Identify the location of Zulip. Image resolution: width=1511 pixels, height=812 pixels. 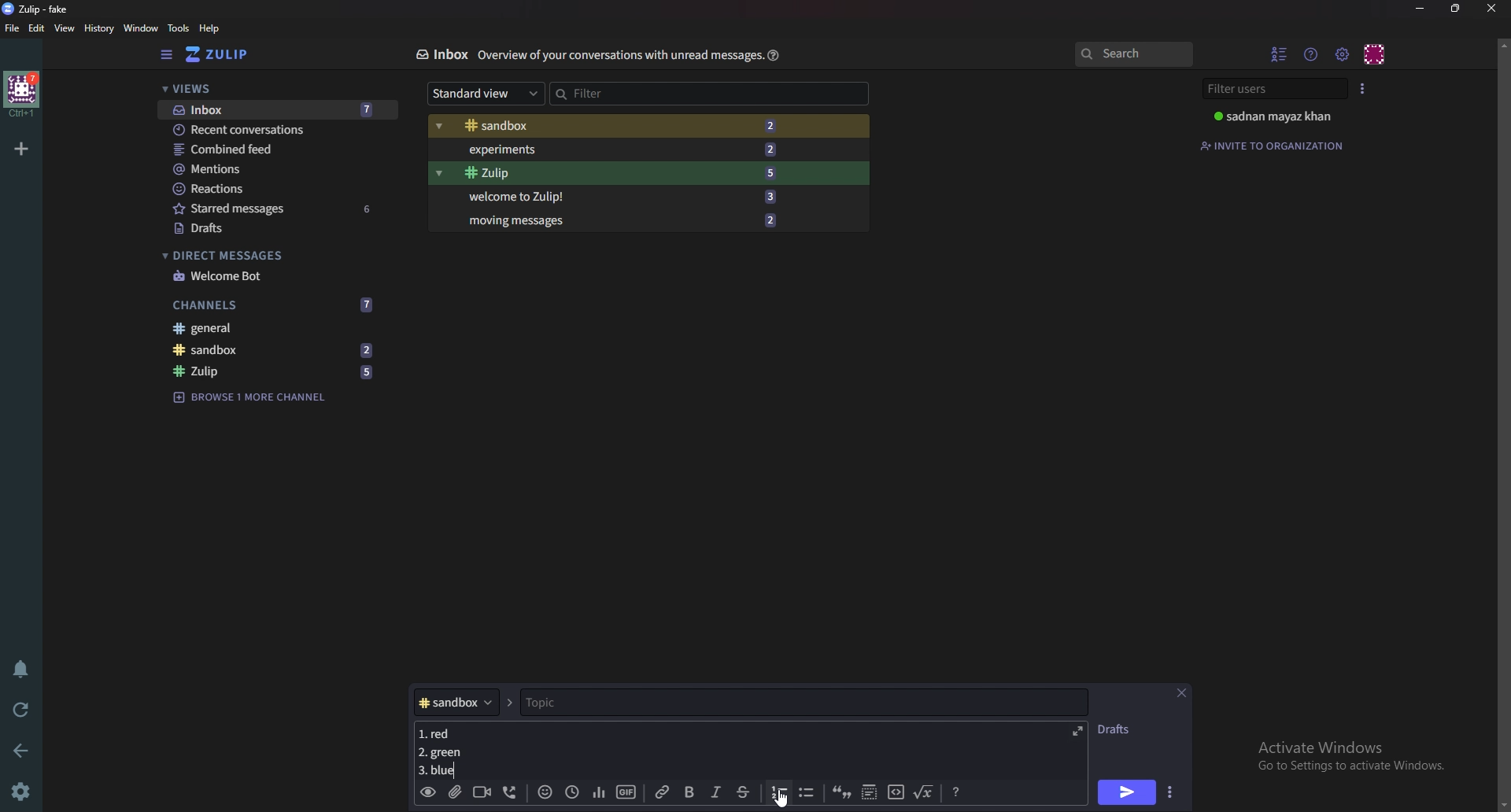
(616, 173).